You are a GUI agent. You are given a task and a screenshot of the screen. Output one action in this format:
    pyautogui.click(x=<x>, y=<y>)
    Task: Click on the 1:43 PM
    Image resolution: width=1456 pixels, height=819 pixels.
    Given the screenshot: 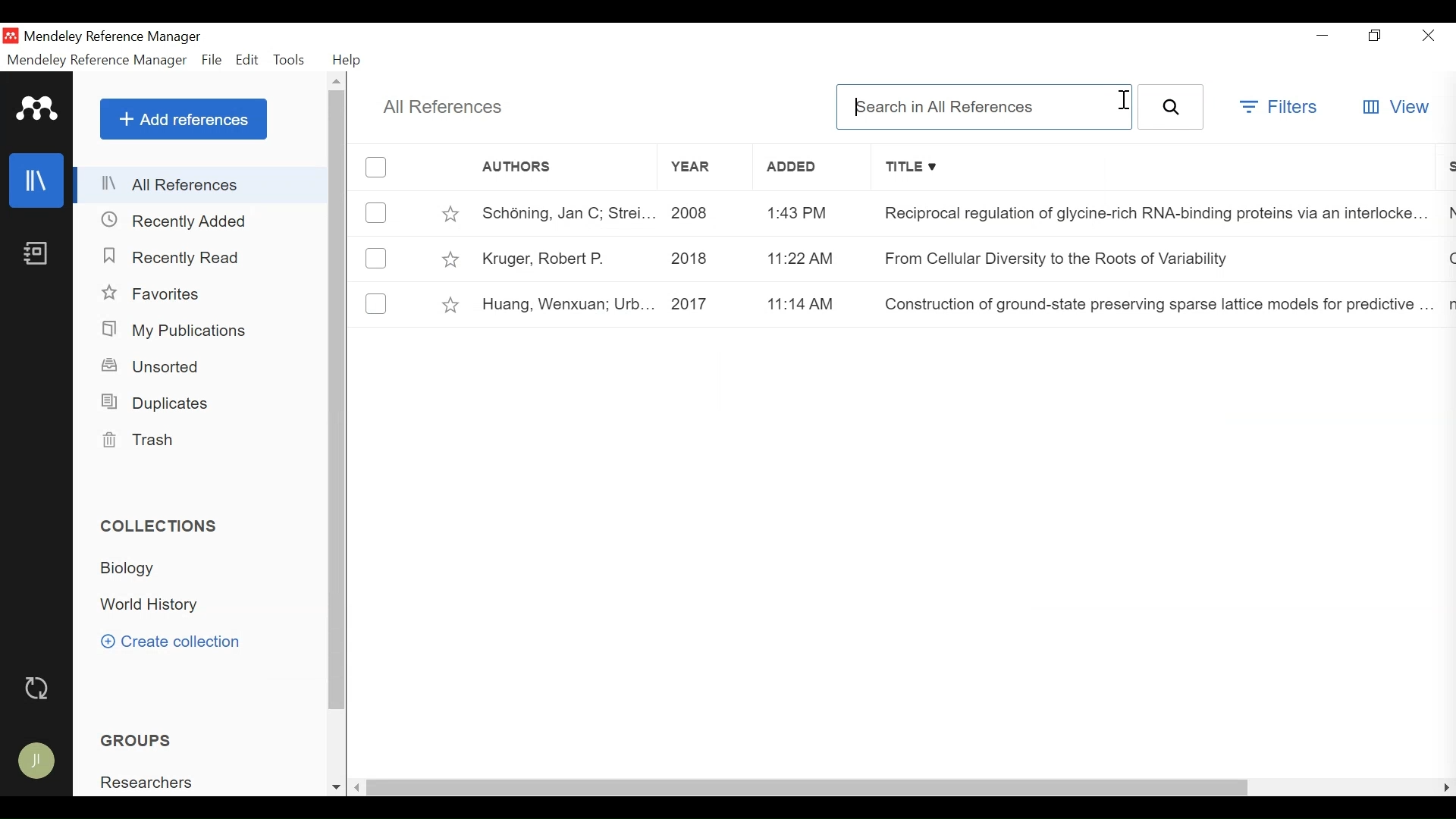 What is the action you would take?
    pyautogui.click(x=814, y=211)
    